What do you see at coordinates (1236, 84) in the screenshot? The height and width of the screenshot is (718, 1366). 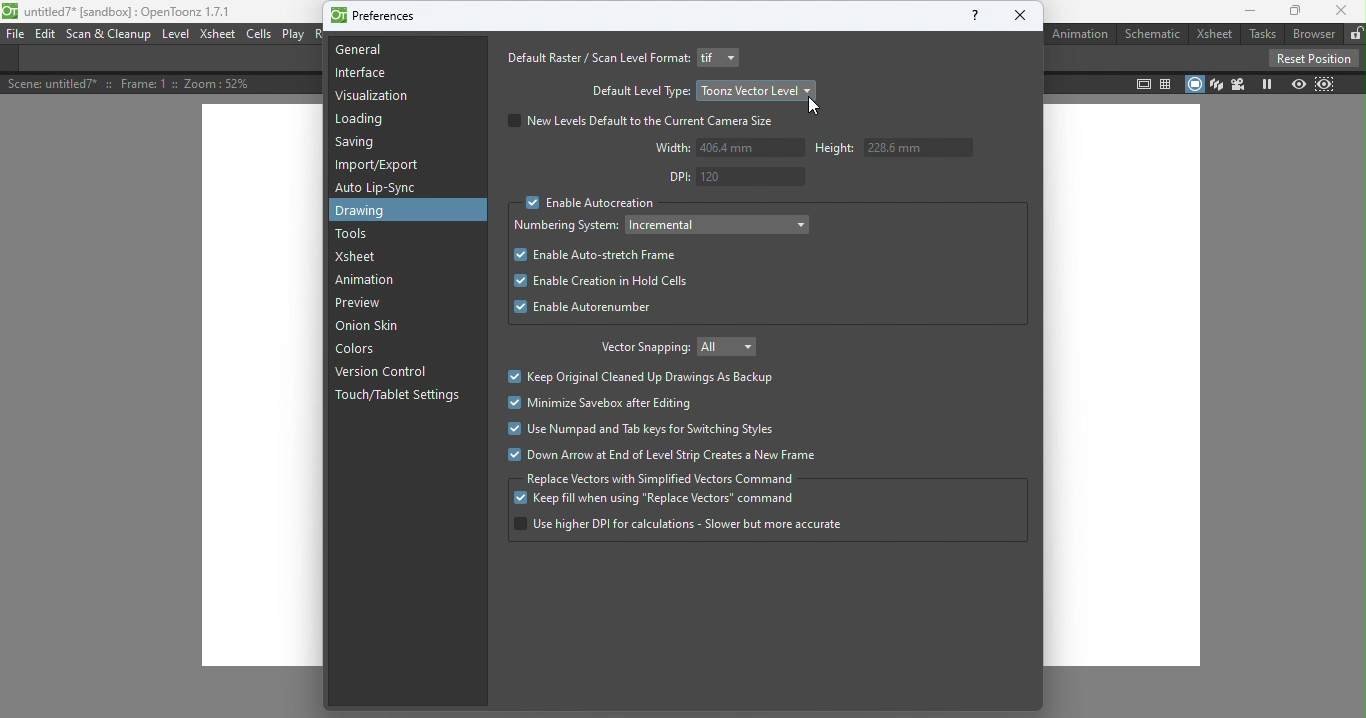 I see `Camera view` at bounding box center [1236, 84].